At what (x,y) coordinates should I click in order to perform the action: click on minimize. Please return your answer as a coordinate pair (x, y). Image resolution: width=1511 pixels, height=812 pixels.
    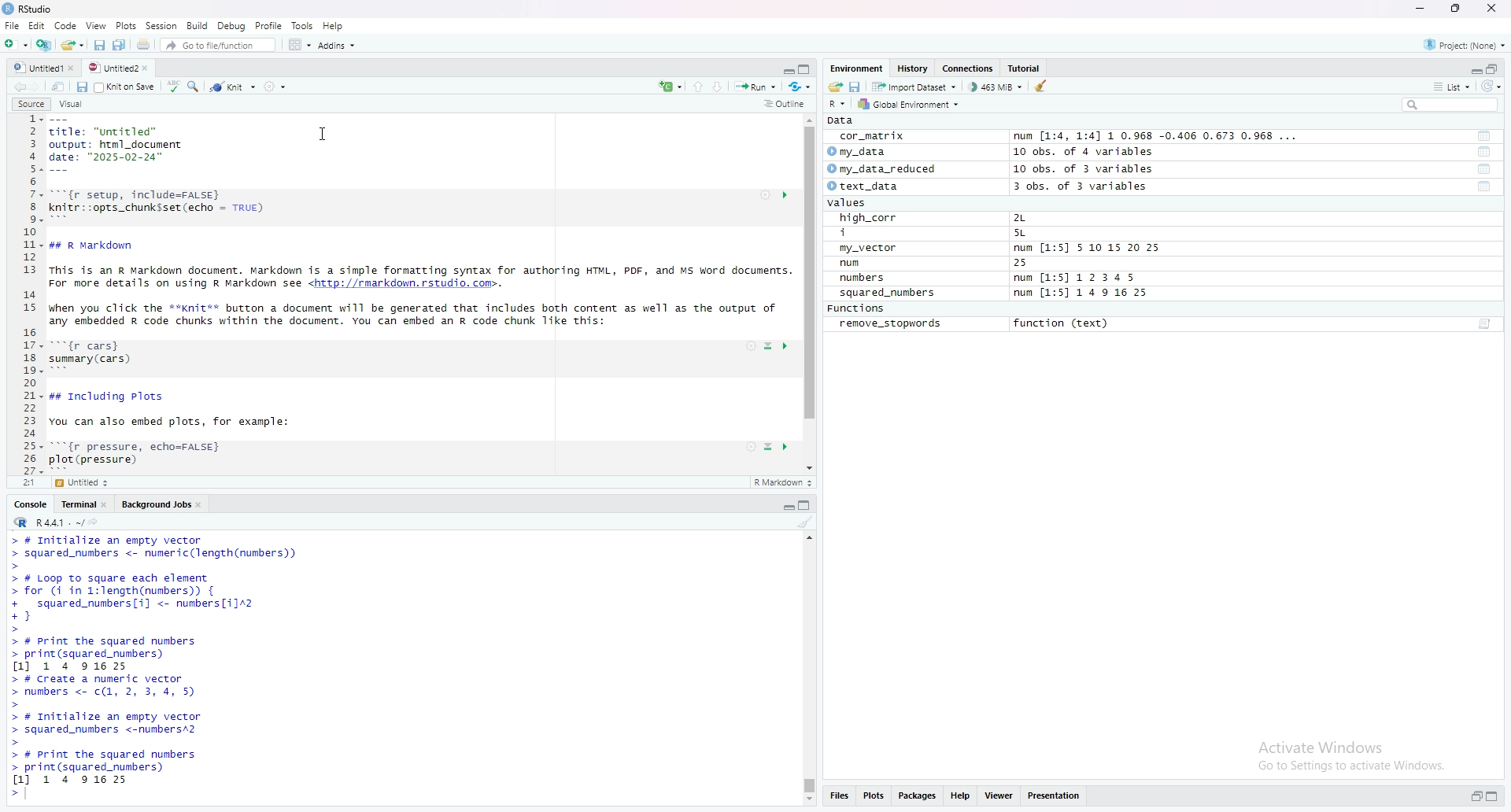
    Looking at the image, I should click on (1418, 9).